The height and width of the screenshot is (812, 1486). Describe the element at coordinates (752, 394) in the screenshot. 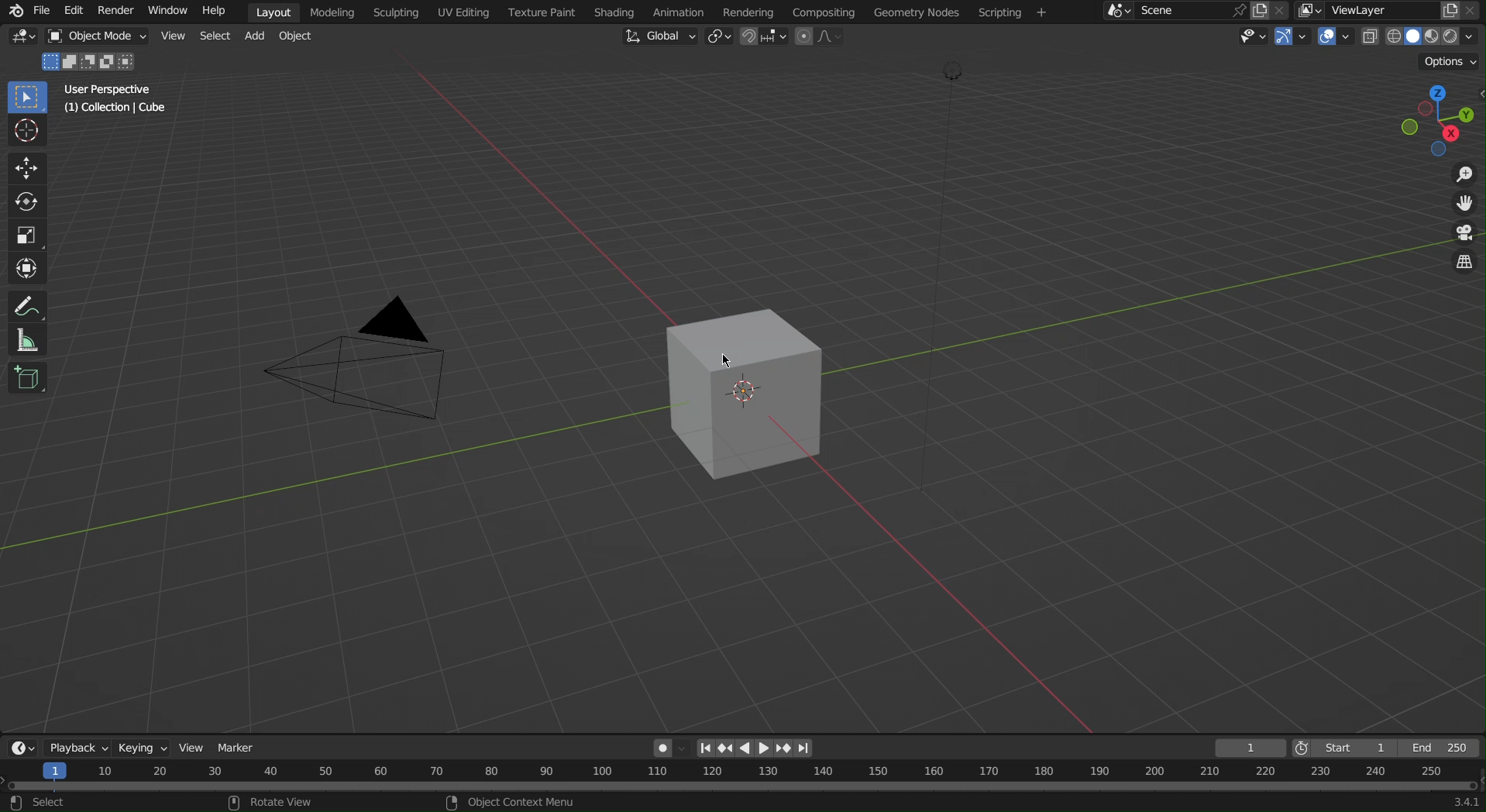

I see `Cube` at that location.